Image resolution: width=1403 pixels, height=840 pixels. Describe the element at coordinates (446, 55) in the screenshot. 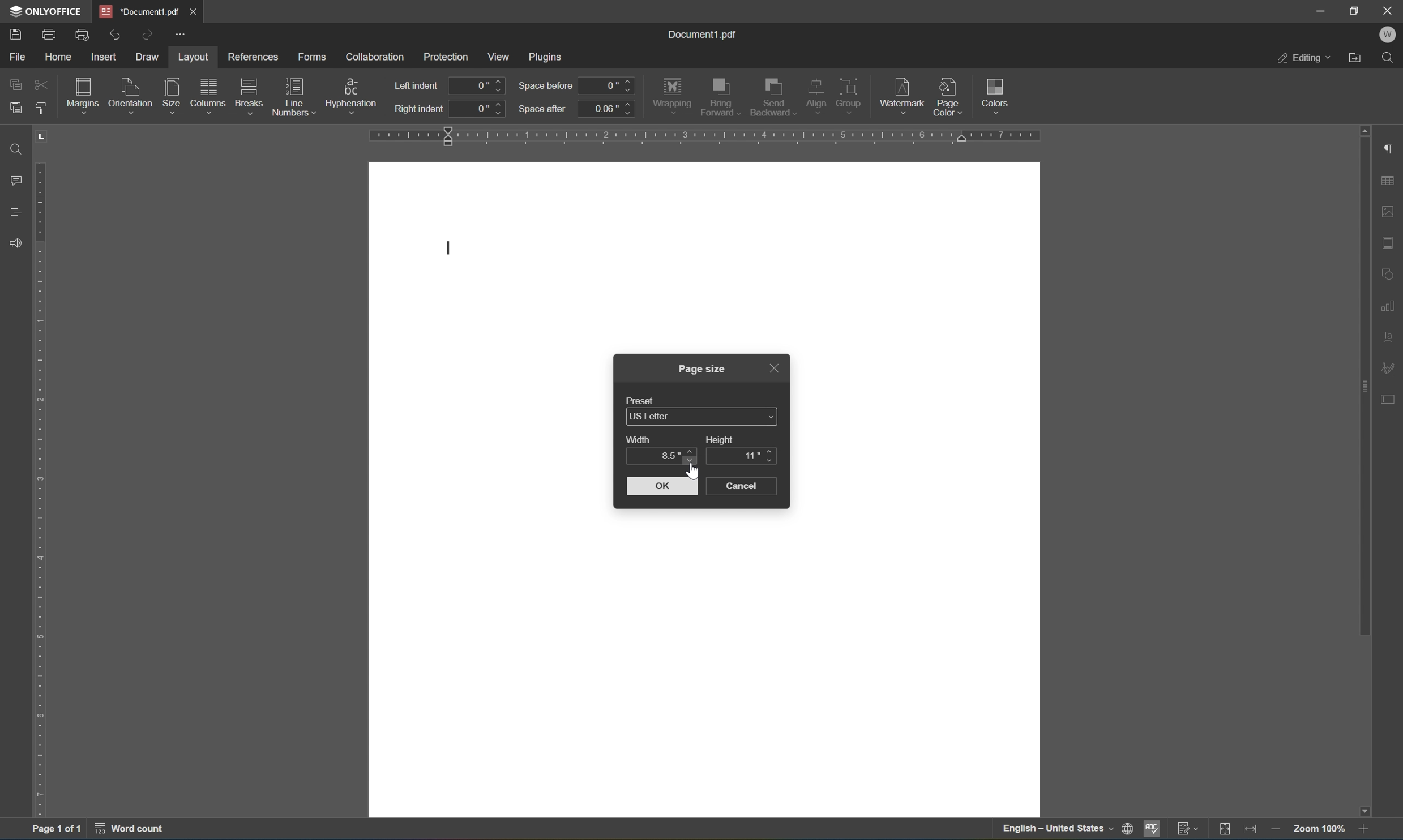

I see `protection` at that location.